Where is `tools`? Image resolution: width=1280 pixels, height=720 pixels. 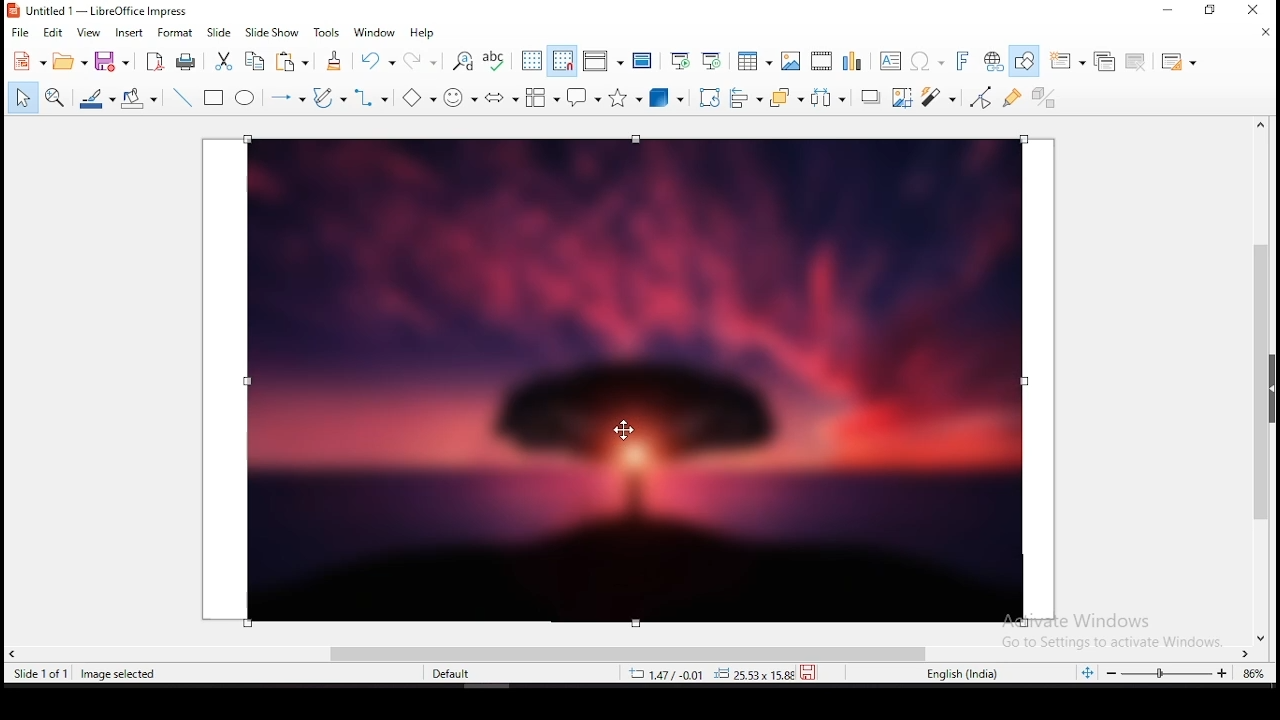
tools is located at coordinates (326, 32).